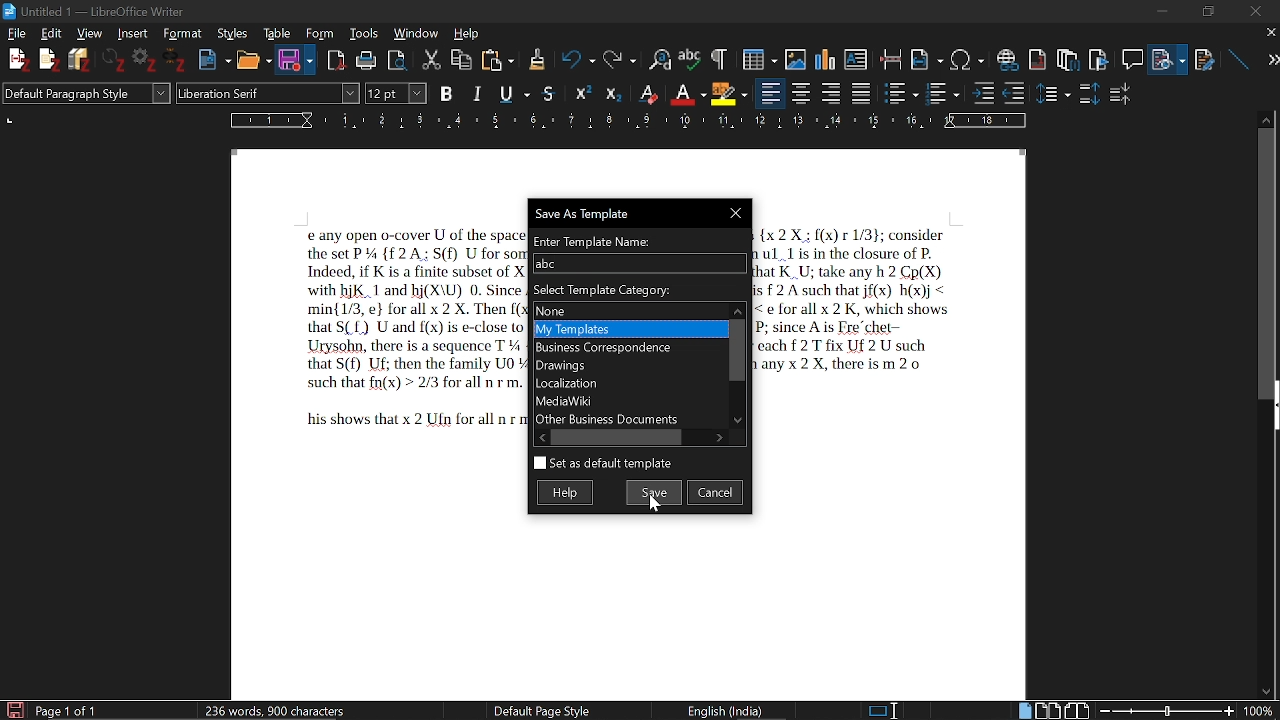  Describe the element at coordinates (536, 59) in the screenshot. I see `` at that location.